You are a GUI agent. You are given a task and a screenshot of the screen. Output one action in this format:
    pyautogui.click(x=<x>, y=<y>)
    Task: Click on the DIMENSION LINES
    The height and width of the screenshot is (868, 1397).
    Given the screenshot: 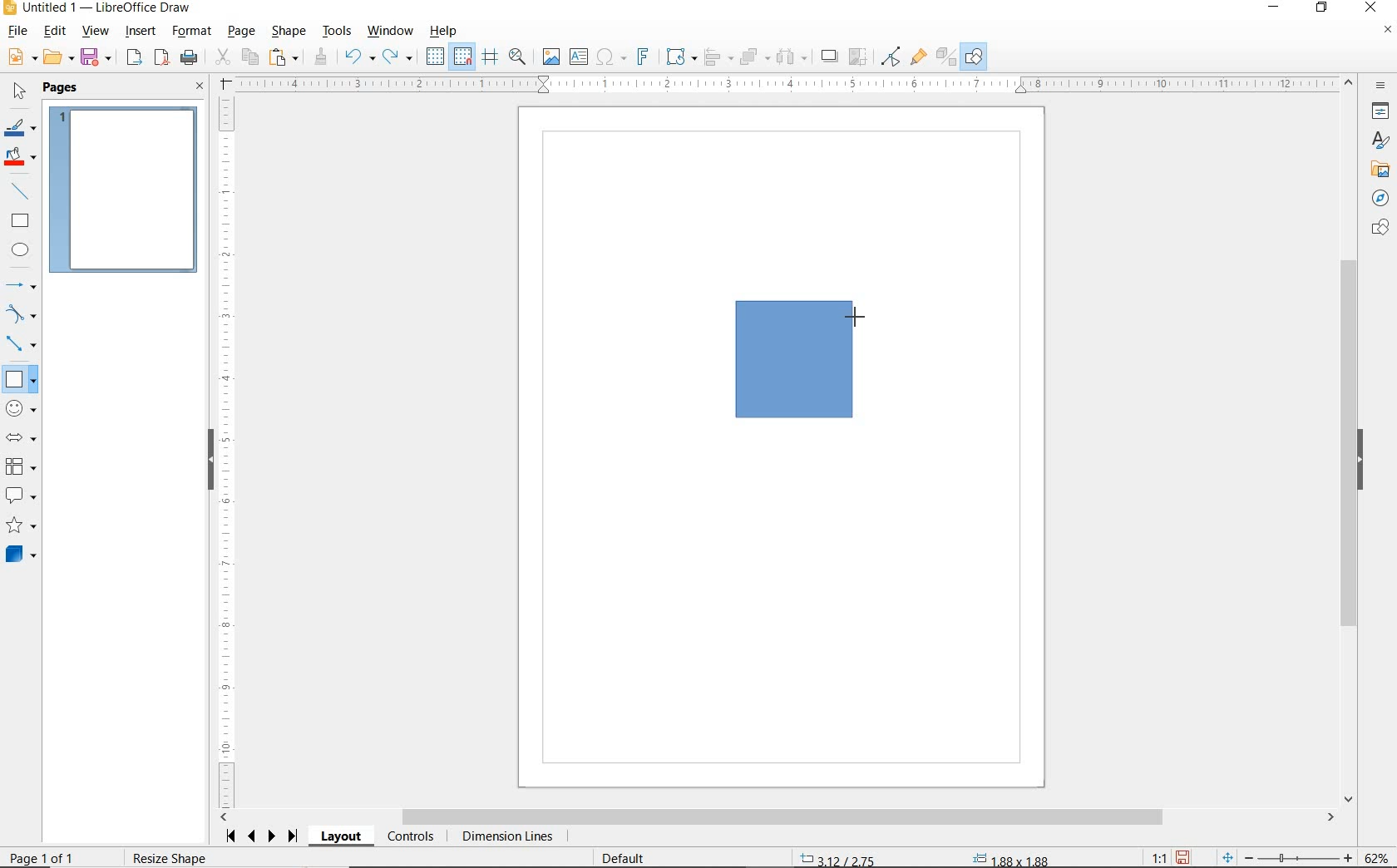 What is the action you would take?
    pyautogui.click(x=506, y=837)
    